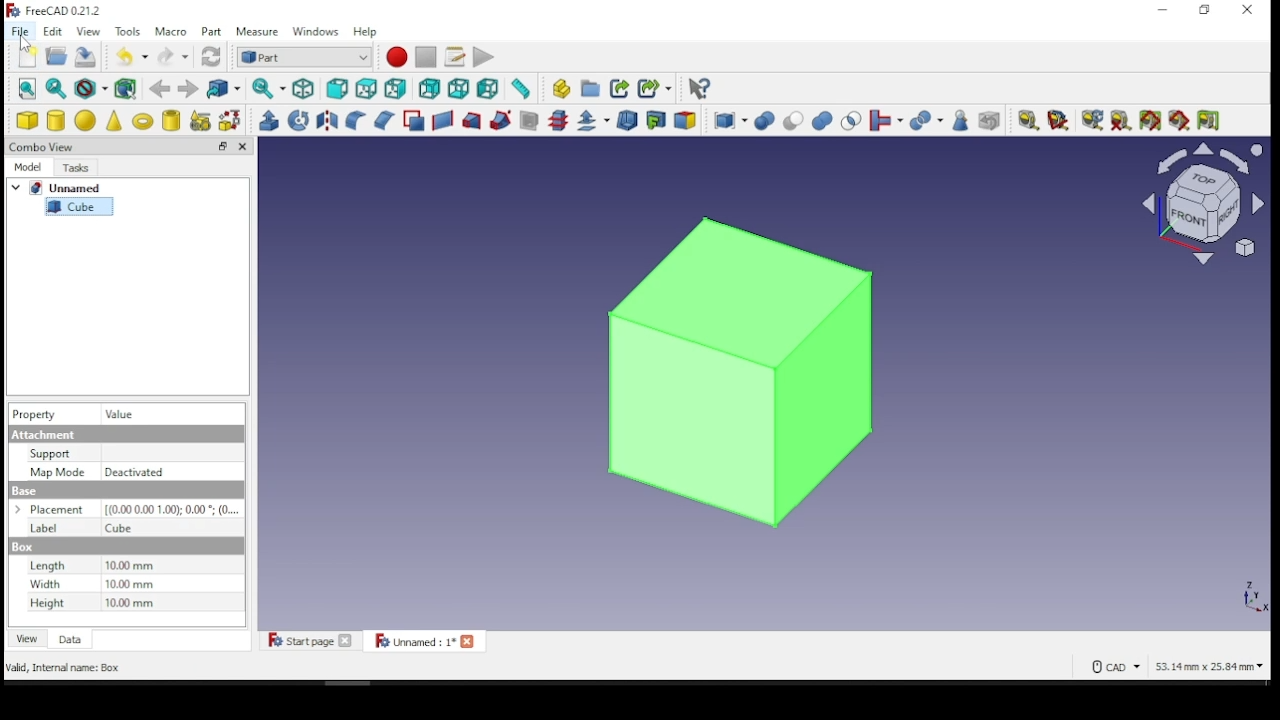 The image size is (1280, 720). I want to click on bounding box, so click(128, 90).